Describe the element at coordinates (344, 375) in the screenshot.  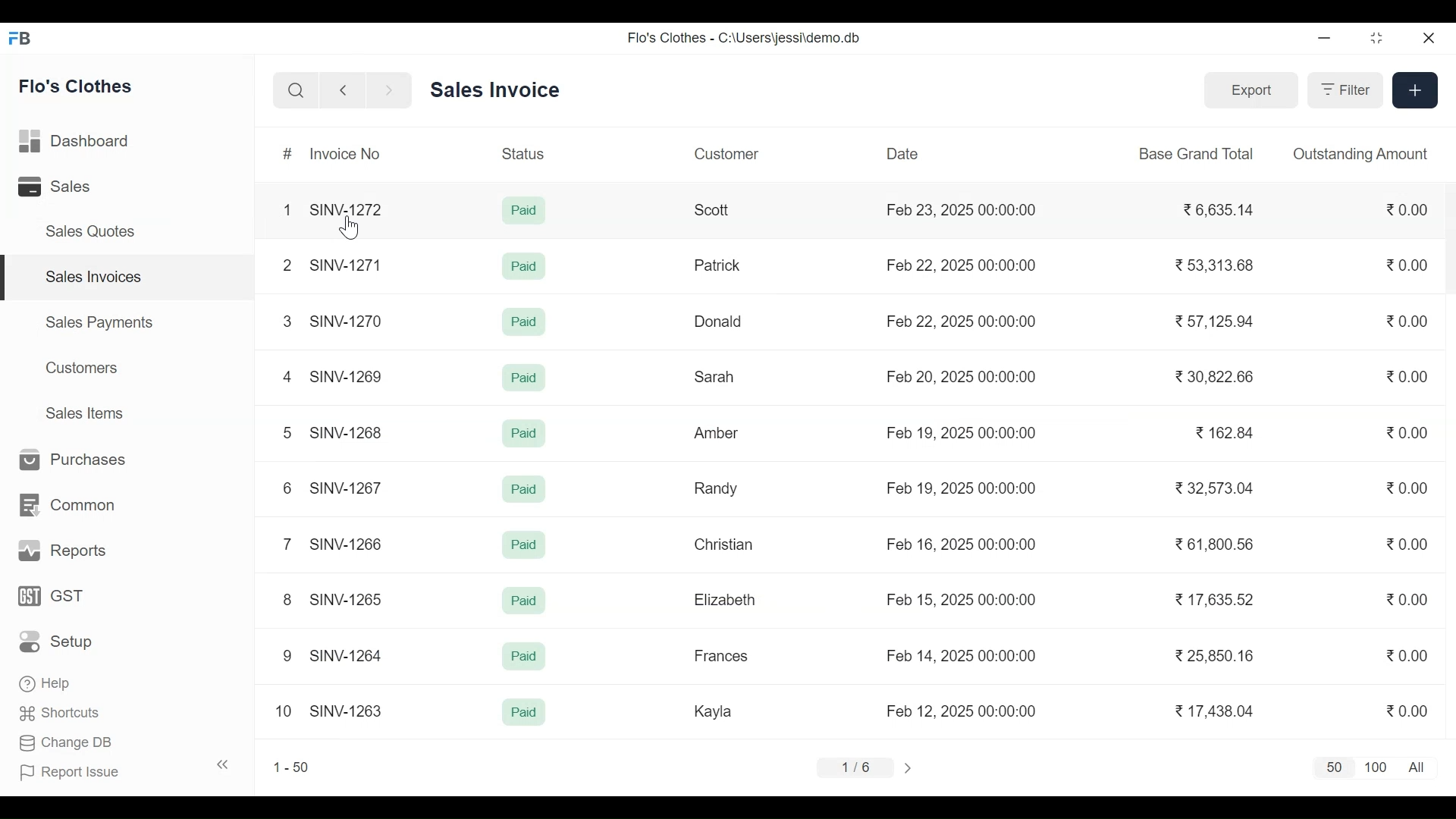
I see `SINV-1269` at that location.